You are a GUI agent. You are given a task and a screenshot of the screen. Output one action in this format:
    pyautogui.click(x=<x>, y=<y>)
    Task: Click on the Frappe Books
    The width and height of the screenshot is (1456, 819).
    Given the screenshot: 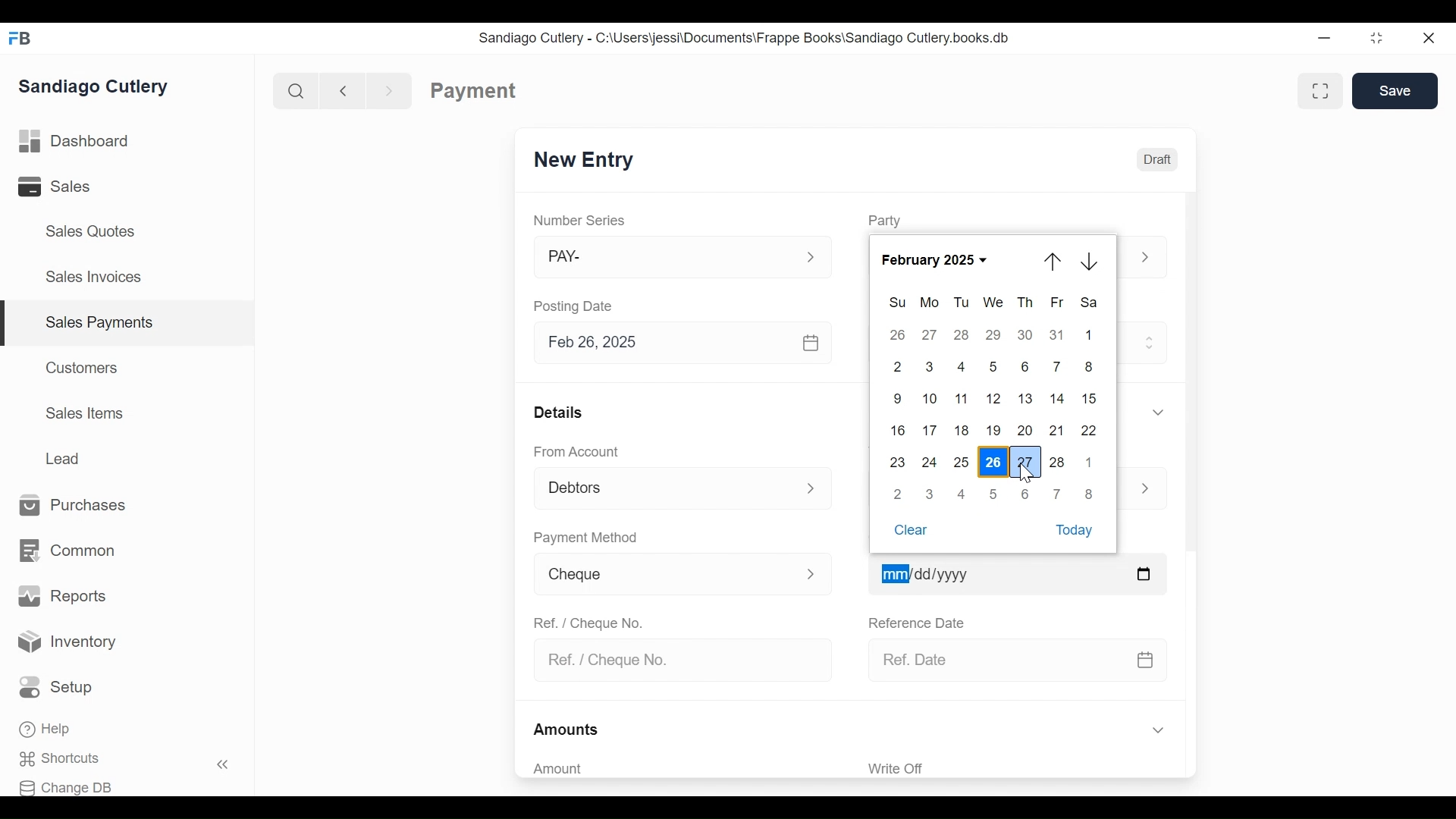 What is the action you would take?
    pyautogui.click(x=21, y=38)
    